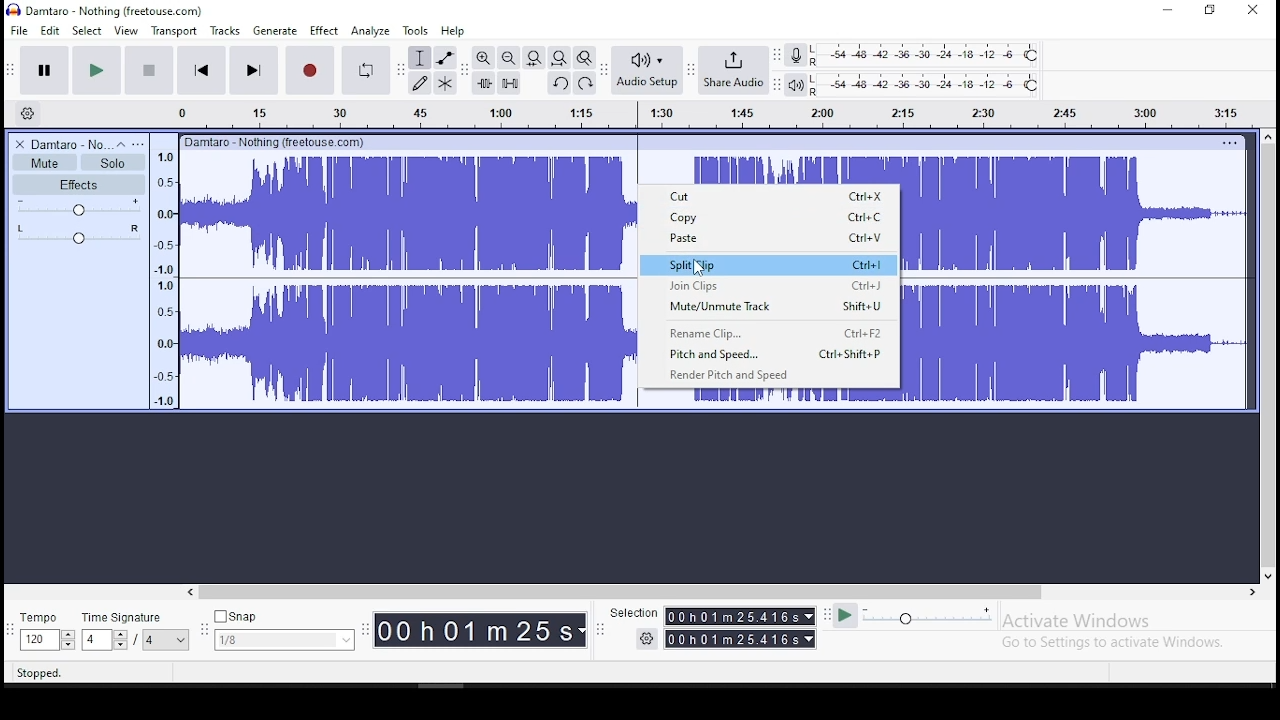 The width and height of the screenshot is (1280, 720). What do you see at coordinates (78, 238) in the screenshot?
I see `pan` at bounding box center [78, 238].